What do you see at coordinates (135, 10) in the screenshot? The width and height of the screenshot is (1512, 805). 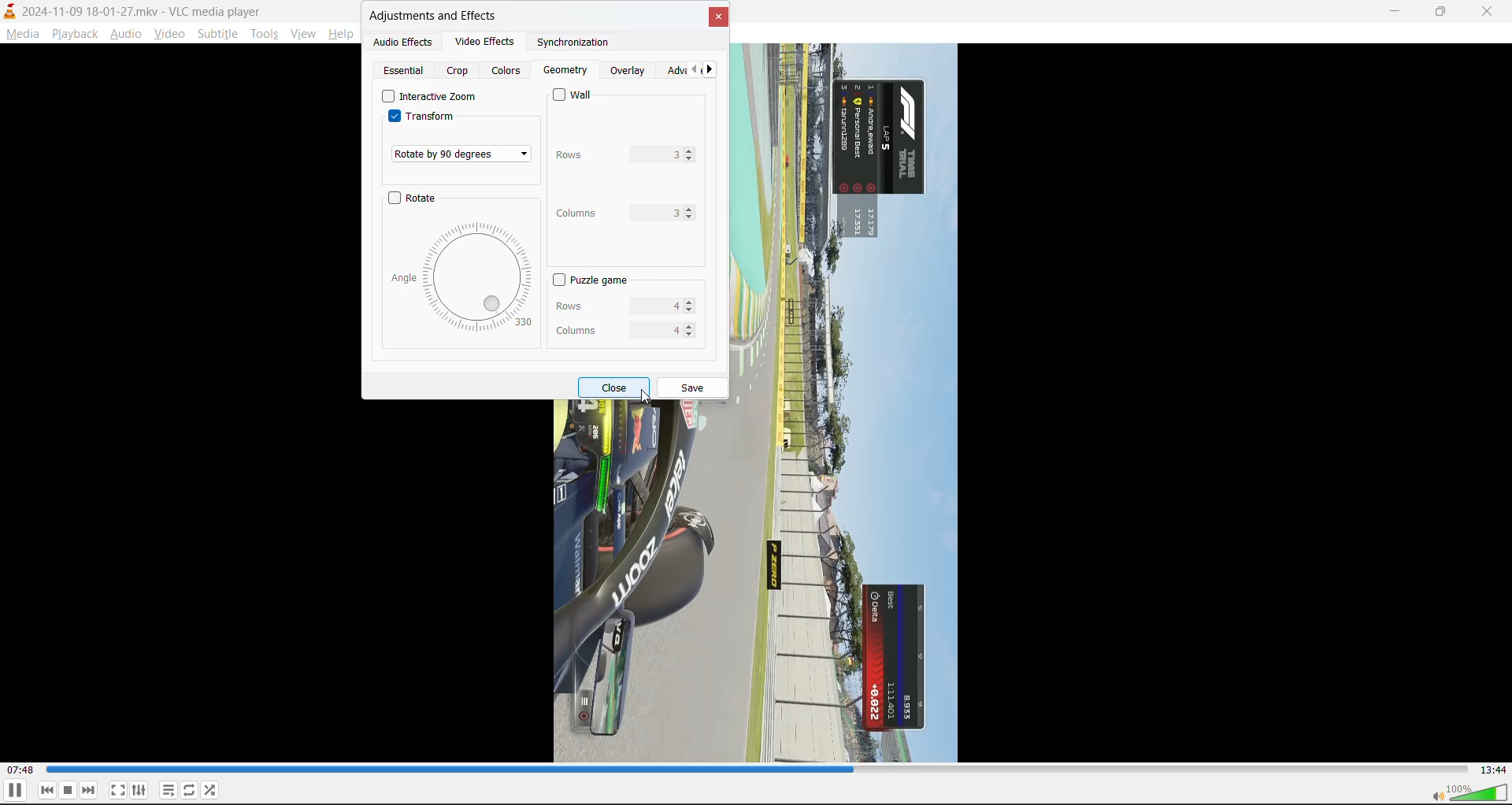 I see `track and app name` at bounding box center [135, 10].